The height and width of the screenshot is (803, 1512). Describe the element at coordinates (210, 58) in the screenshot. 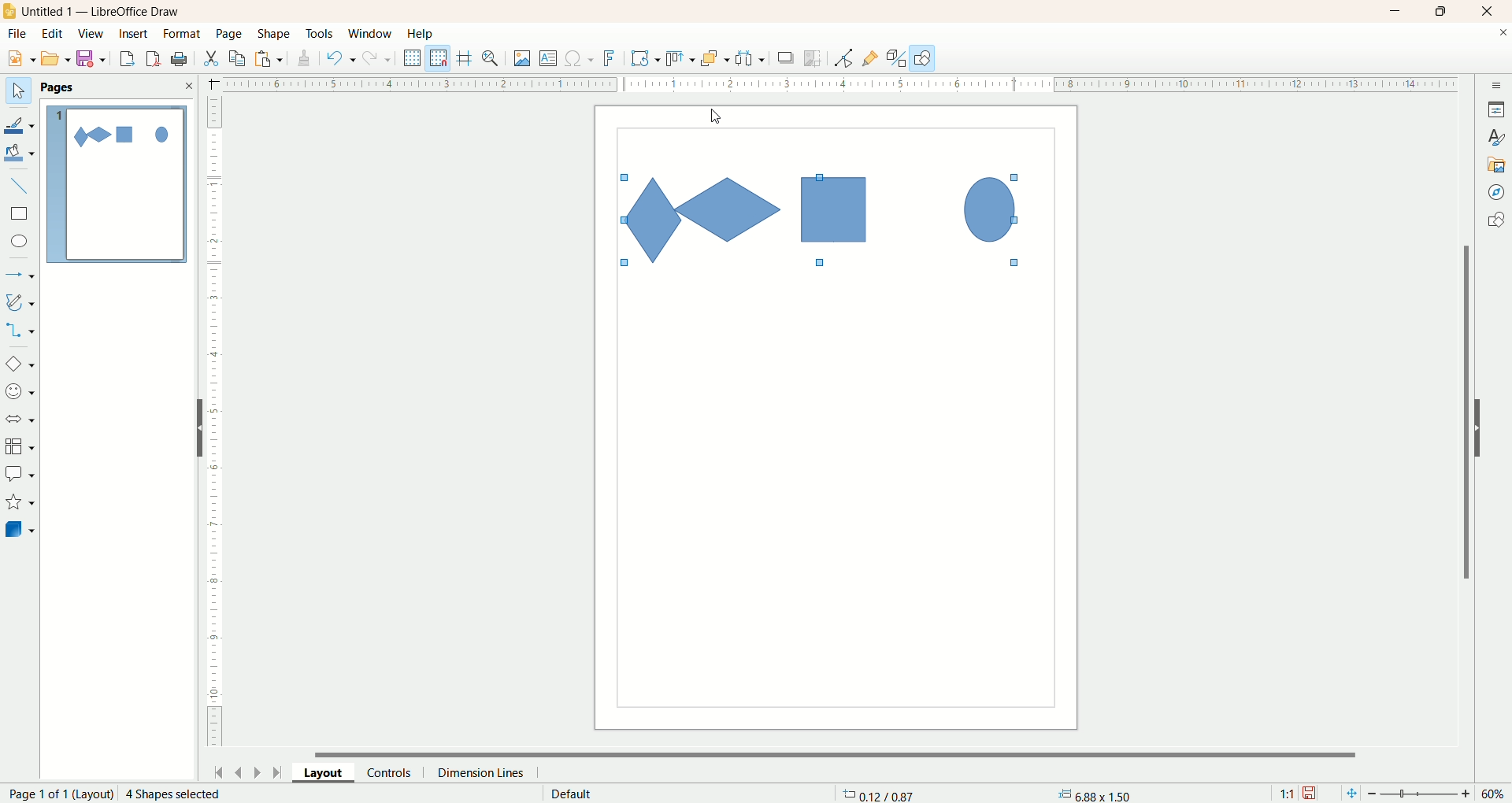

I see `cut` at that location.